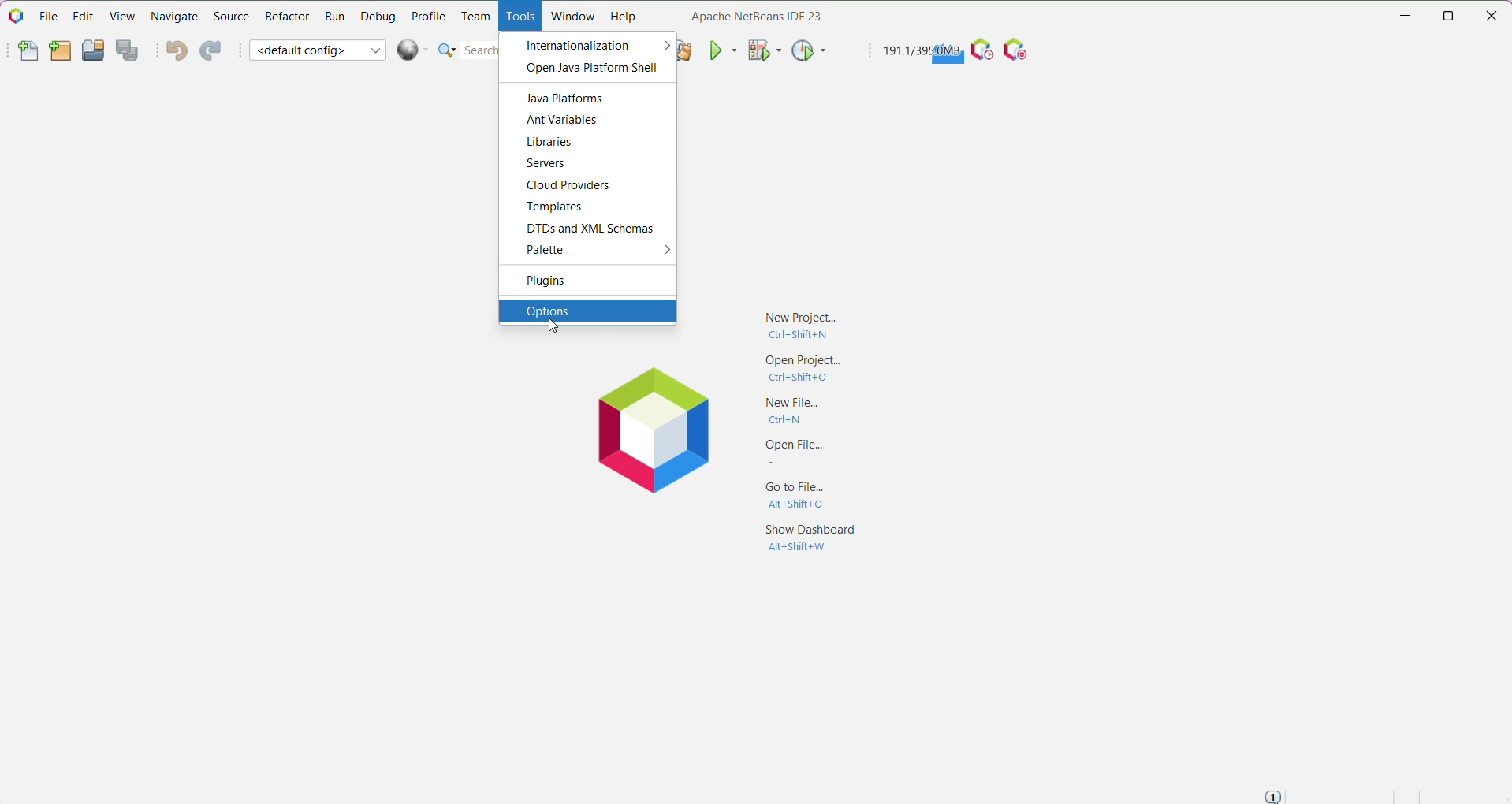 The image size is (1512, 804). Describe the element at coordinates (573, 18) in the screenshot. I see `Window` at that location.